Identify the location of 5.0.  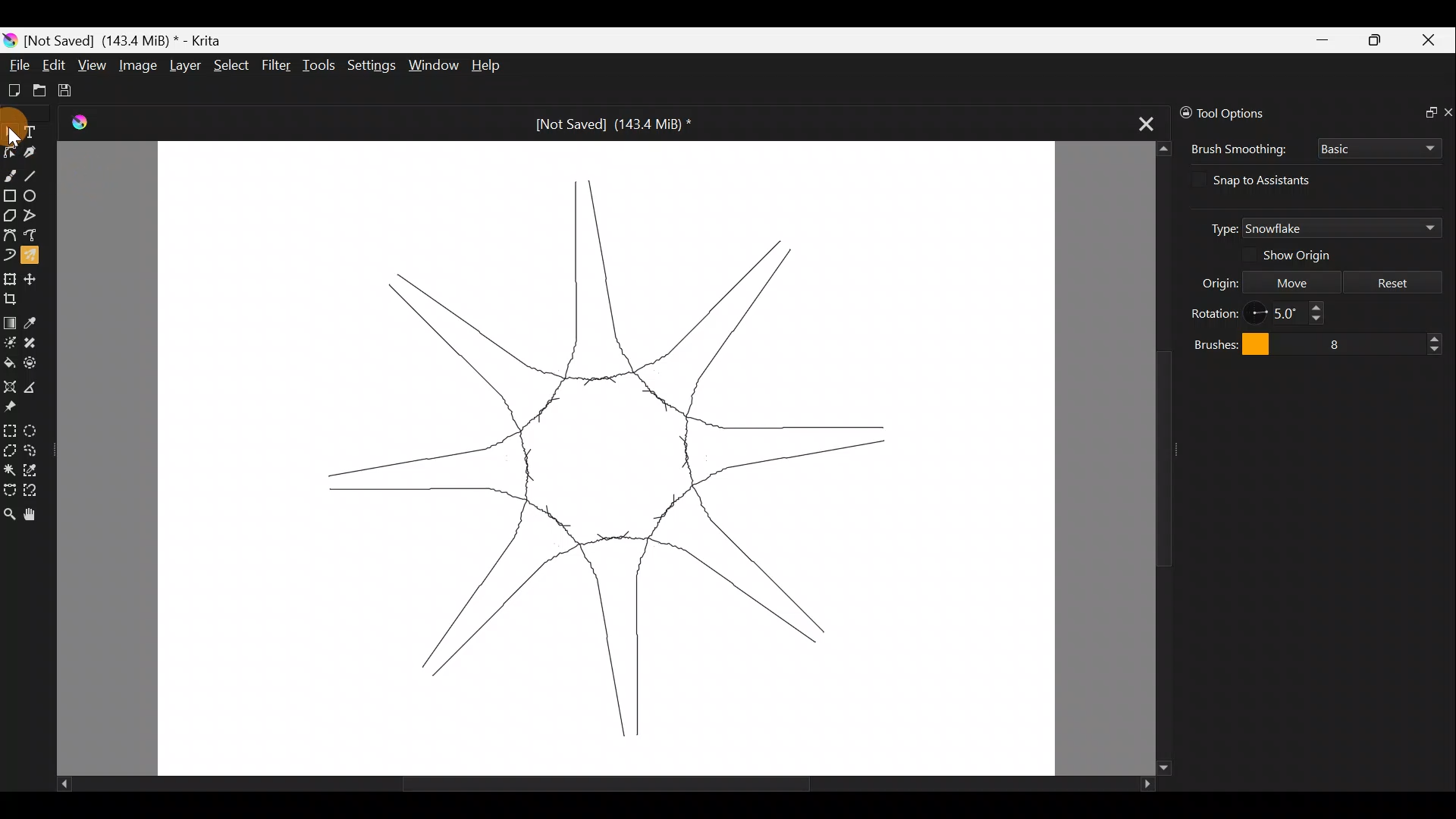
(1292, 313).